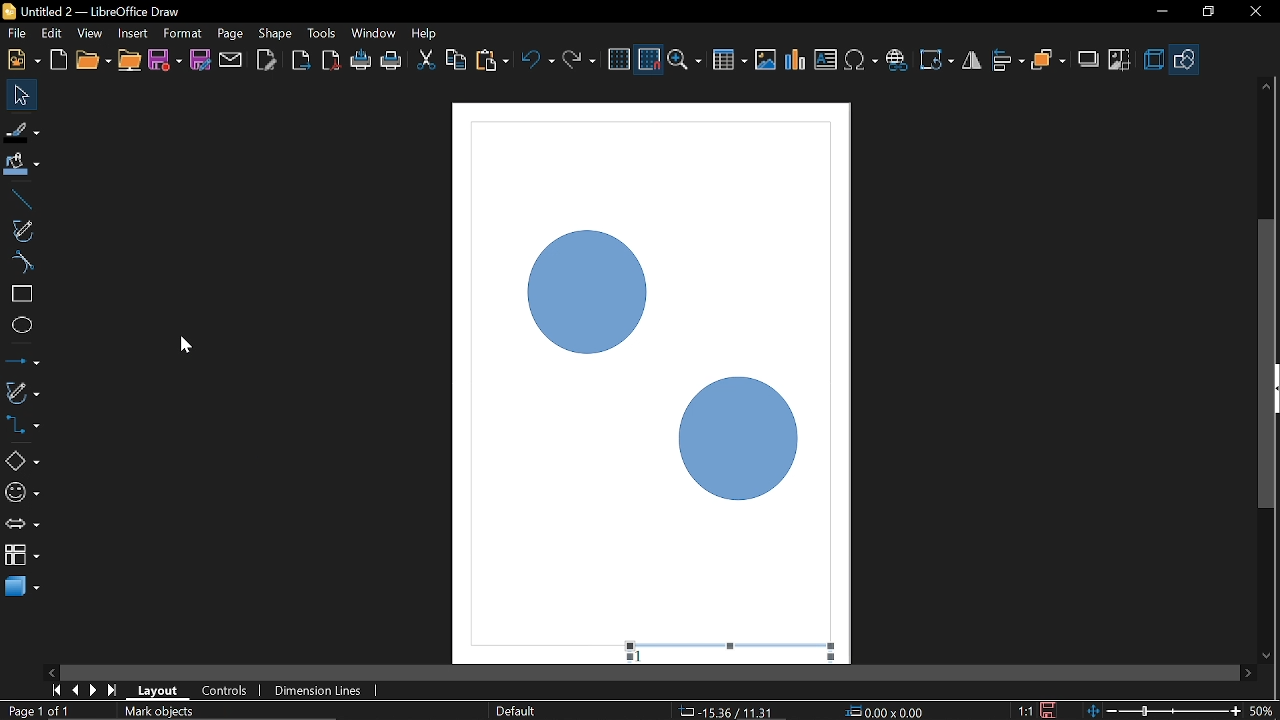 The height and width of the screenshot is (720, 1280). What do you see at coordinates (90, 11) in the screenshot?
I see `Current window` at bounding box center [90, 11].